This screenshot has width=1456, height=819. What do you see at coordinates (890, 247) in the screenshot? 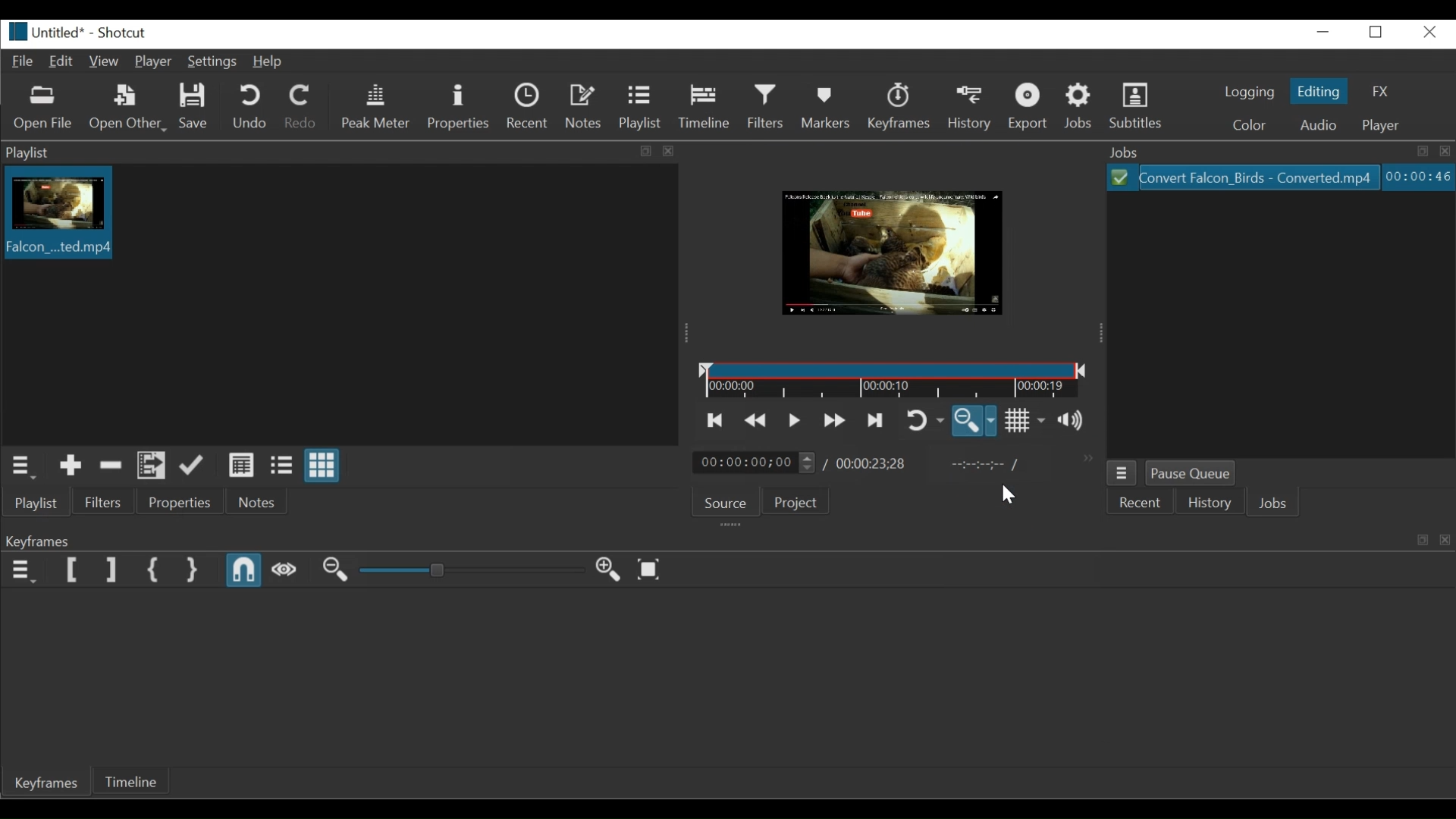
I see `Media Viewer` at bounding box center [890, 247].